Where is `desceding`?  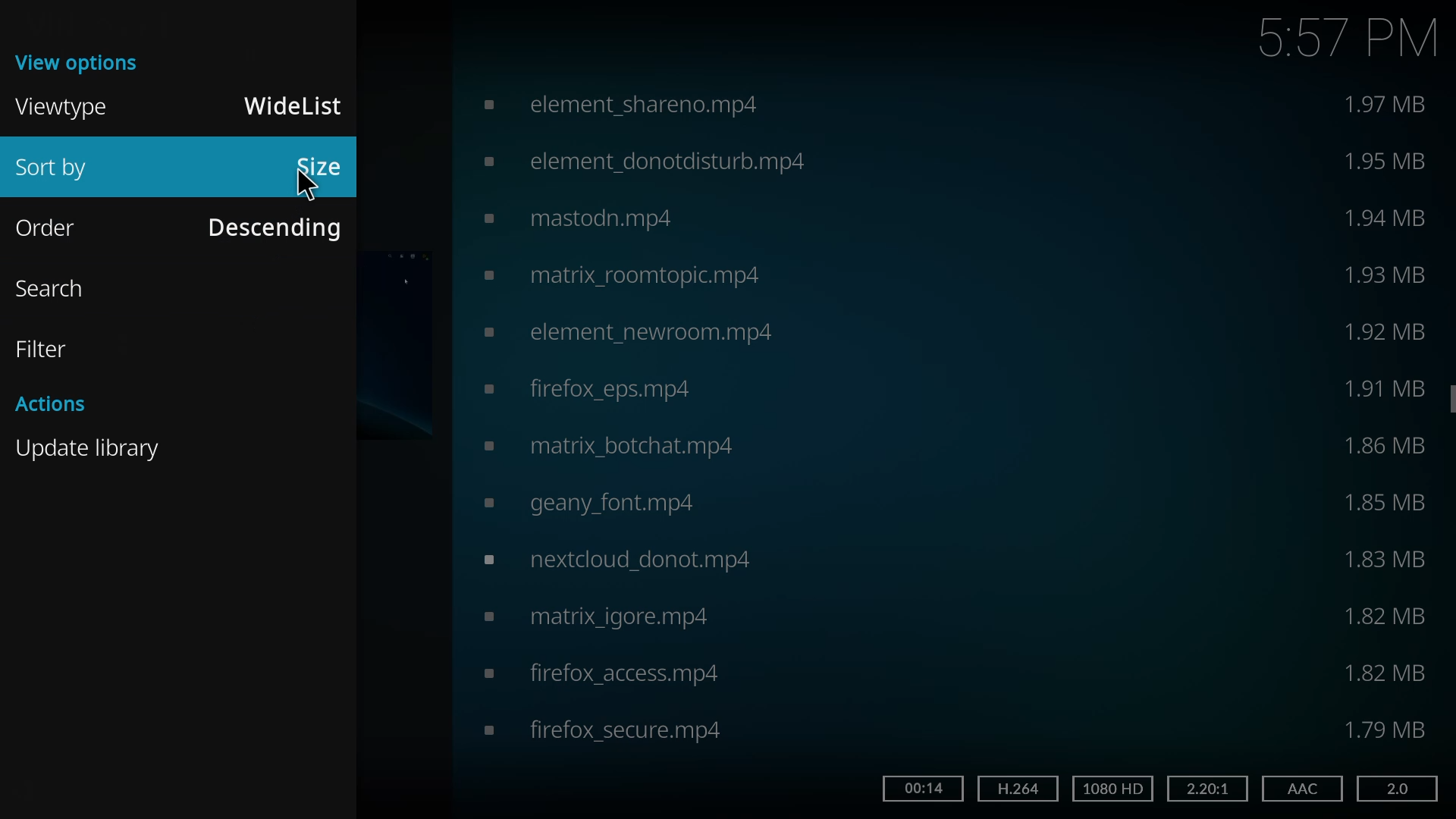
desceding is located at coordinates (274, 224).